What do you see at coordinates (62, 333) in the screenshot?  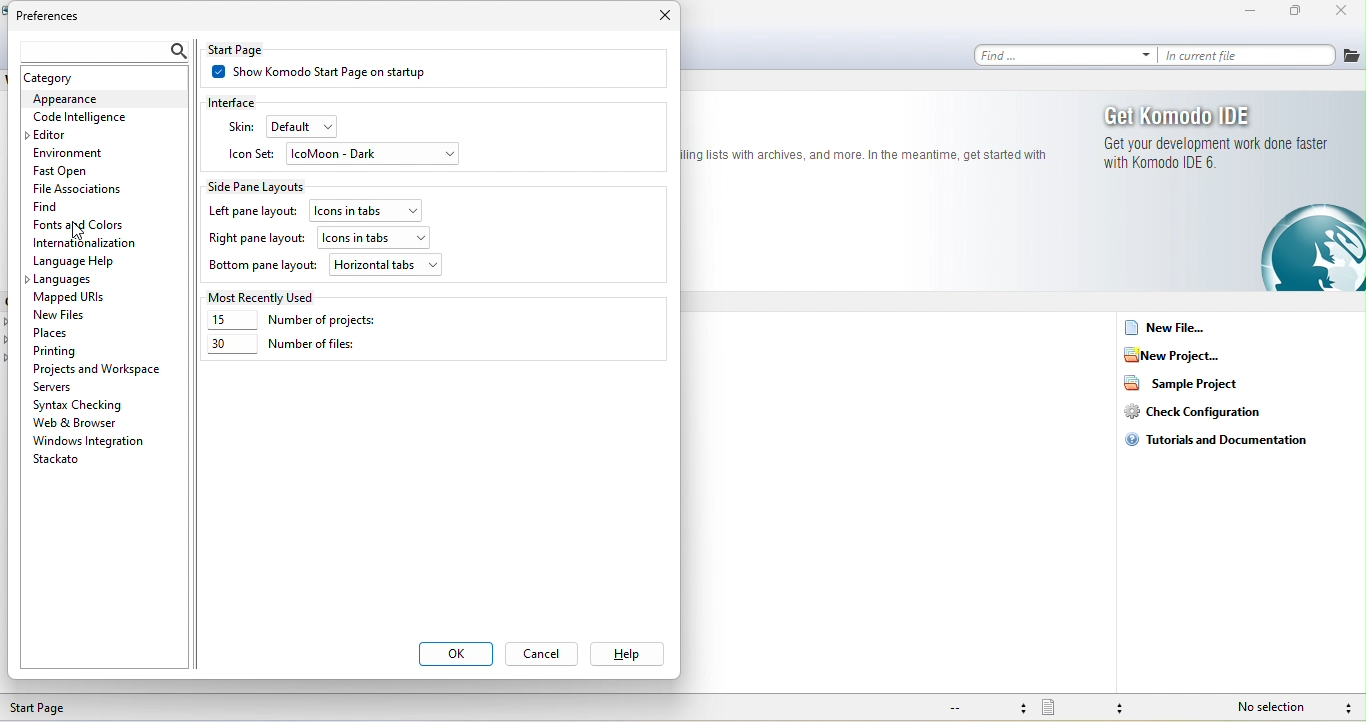 I see `place` at bounding box center [62, 333].